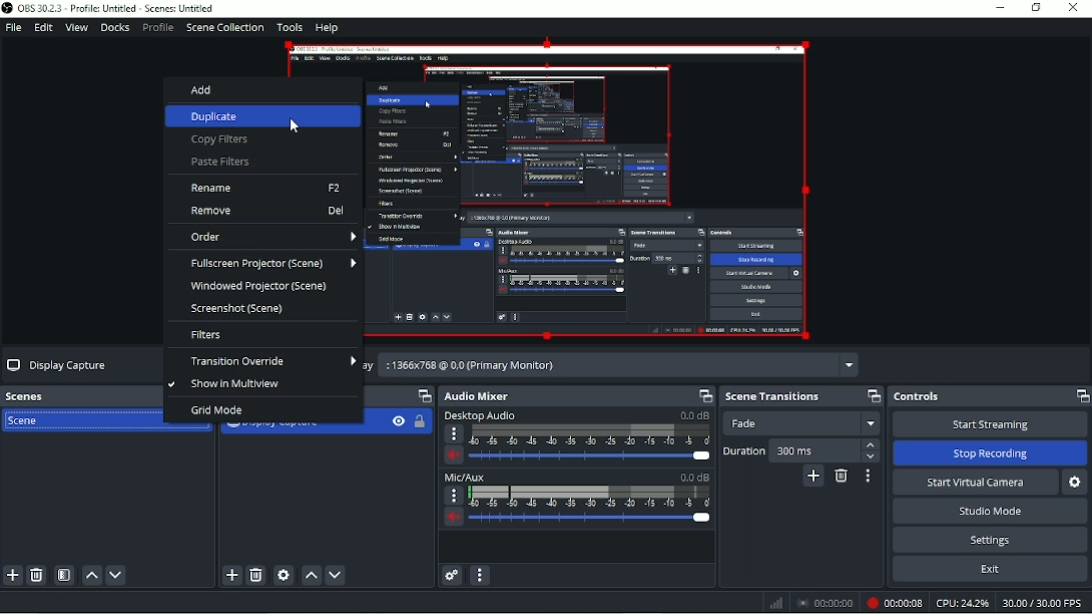 The image size is (1092, 614). I want to click on Open scene filters, so click(65, 576).